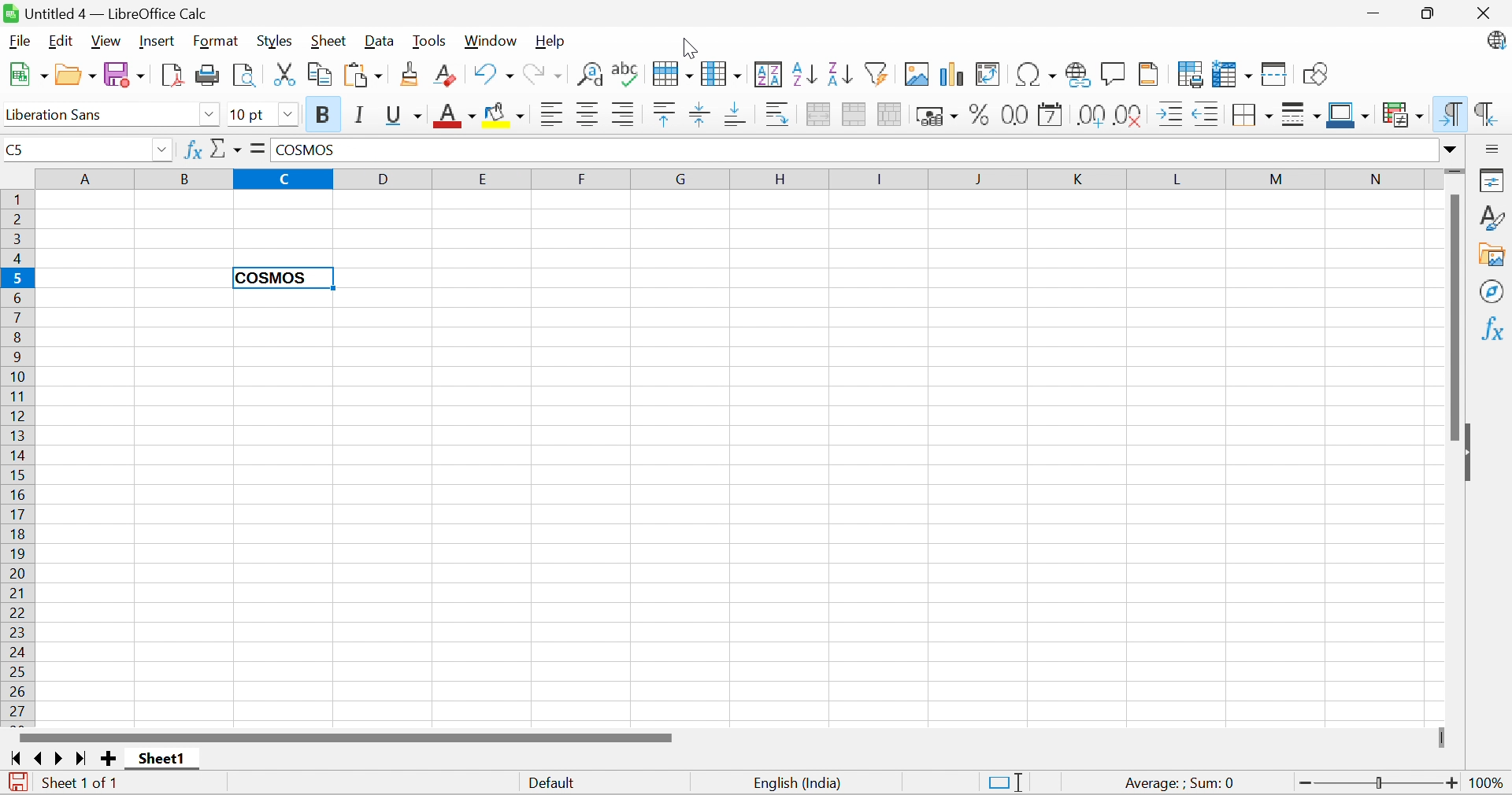  I want to click on Scroll Bar, so click(1452, 317).